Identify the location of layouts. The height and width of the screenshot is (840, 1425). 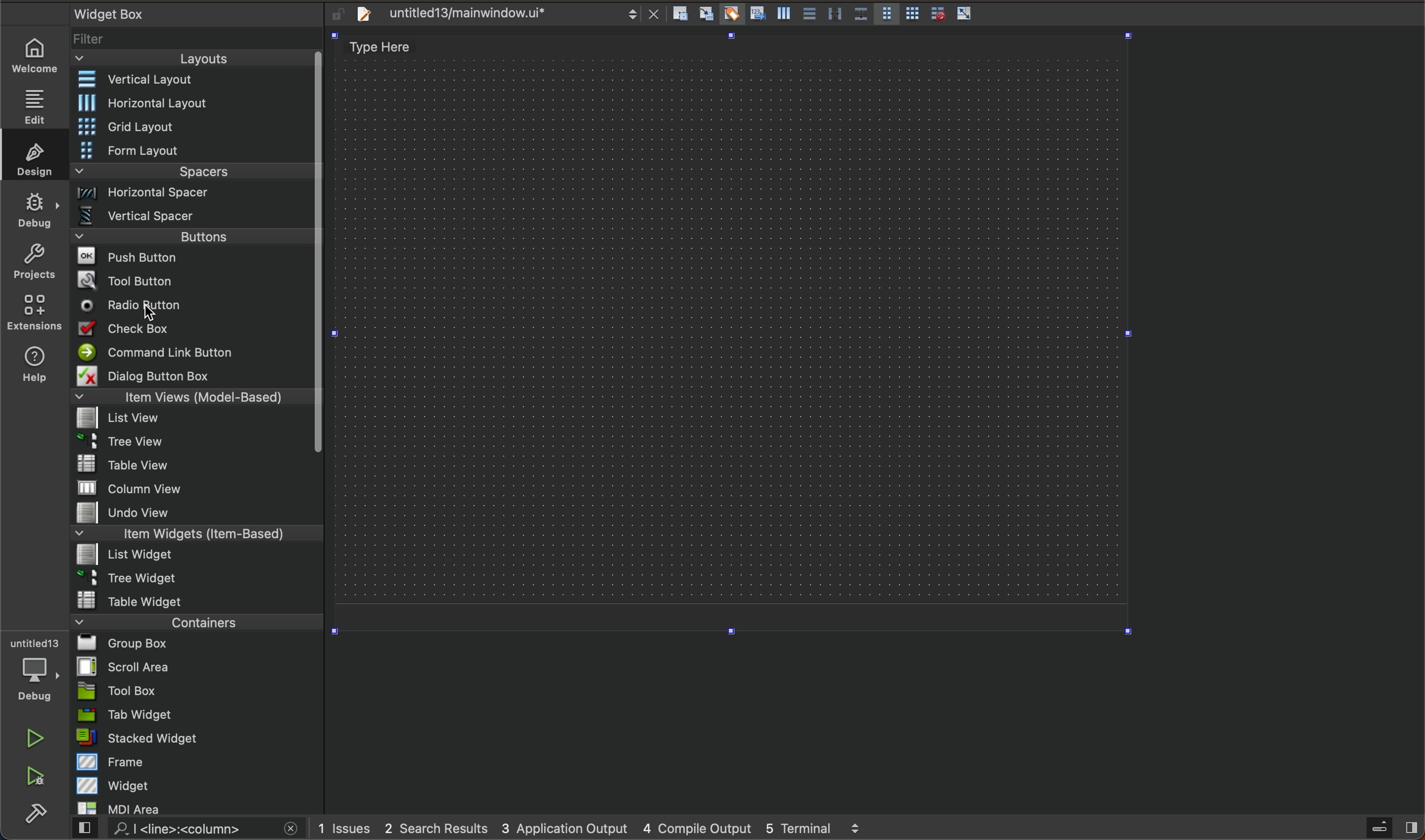
(192, 62).